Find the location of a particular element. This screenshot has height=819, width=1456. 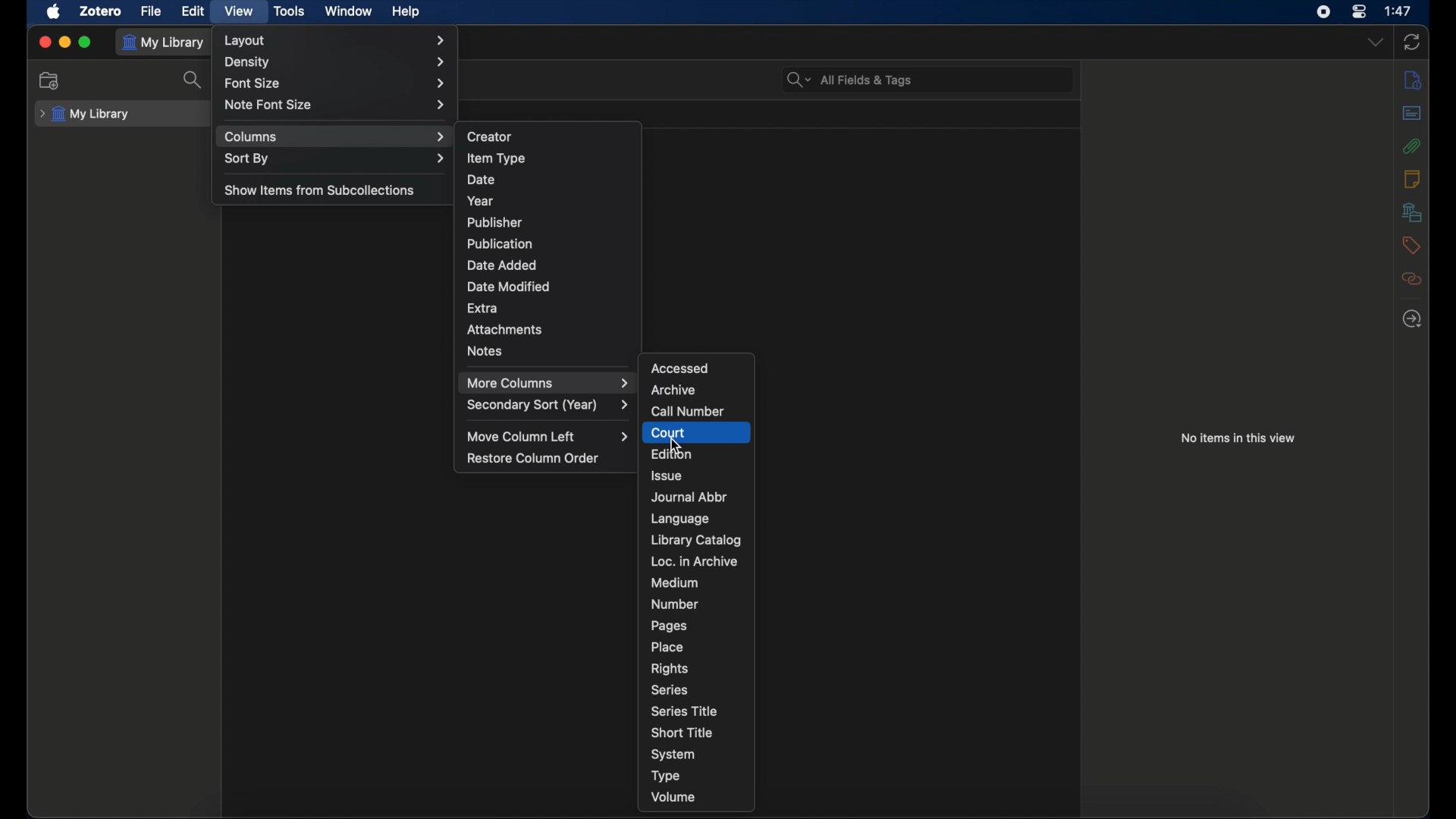

search is located at coordinates (194, 79).